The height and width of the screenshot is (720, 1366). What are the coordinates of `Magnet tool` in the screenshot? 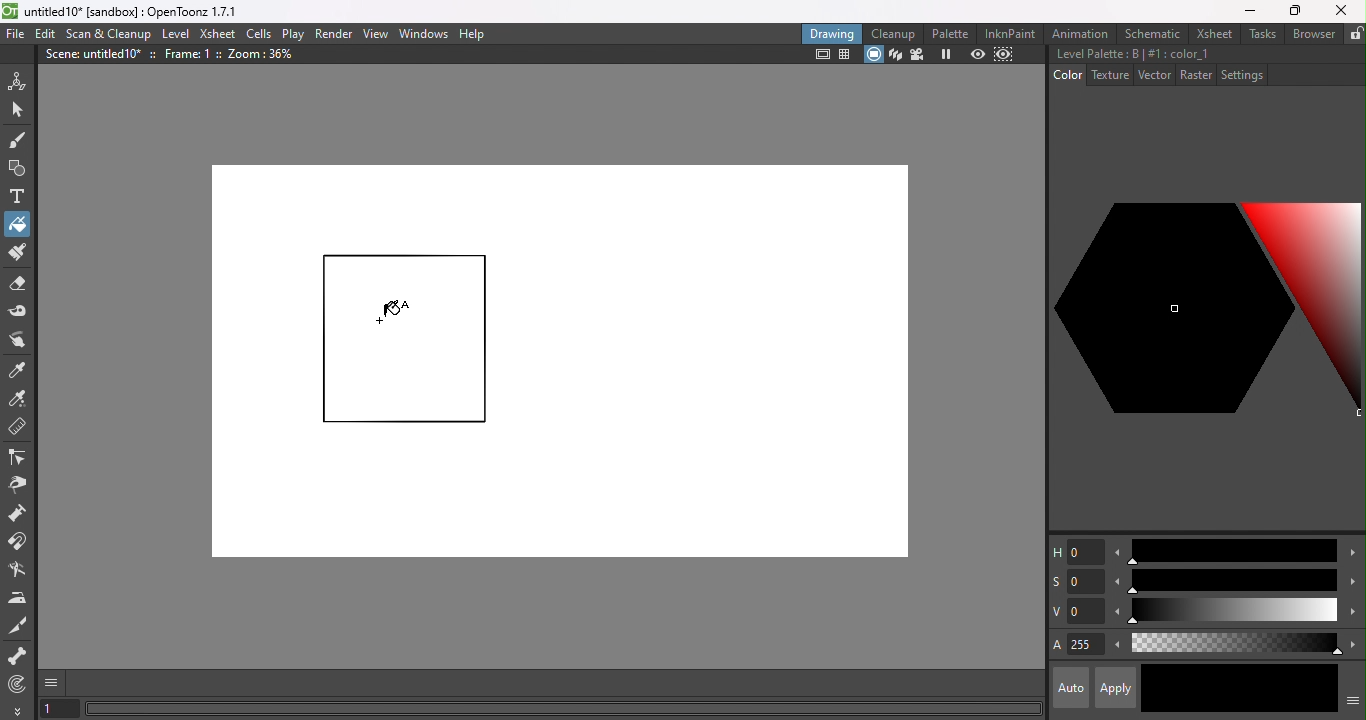 It's located at (20, 543).